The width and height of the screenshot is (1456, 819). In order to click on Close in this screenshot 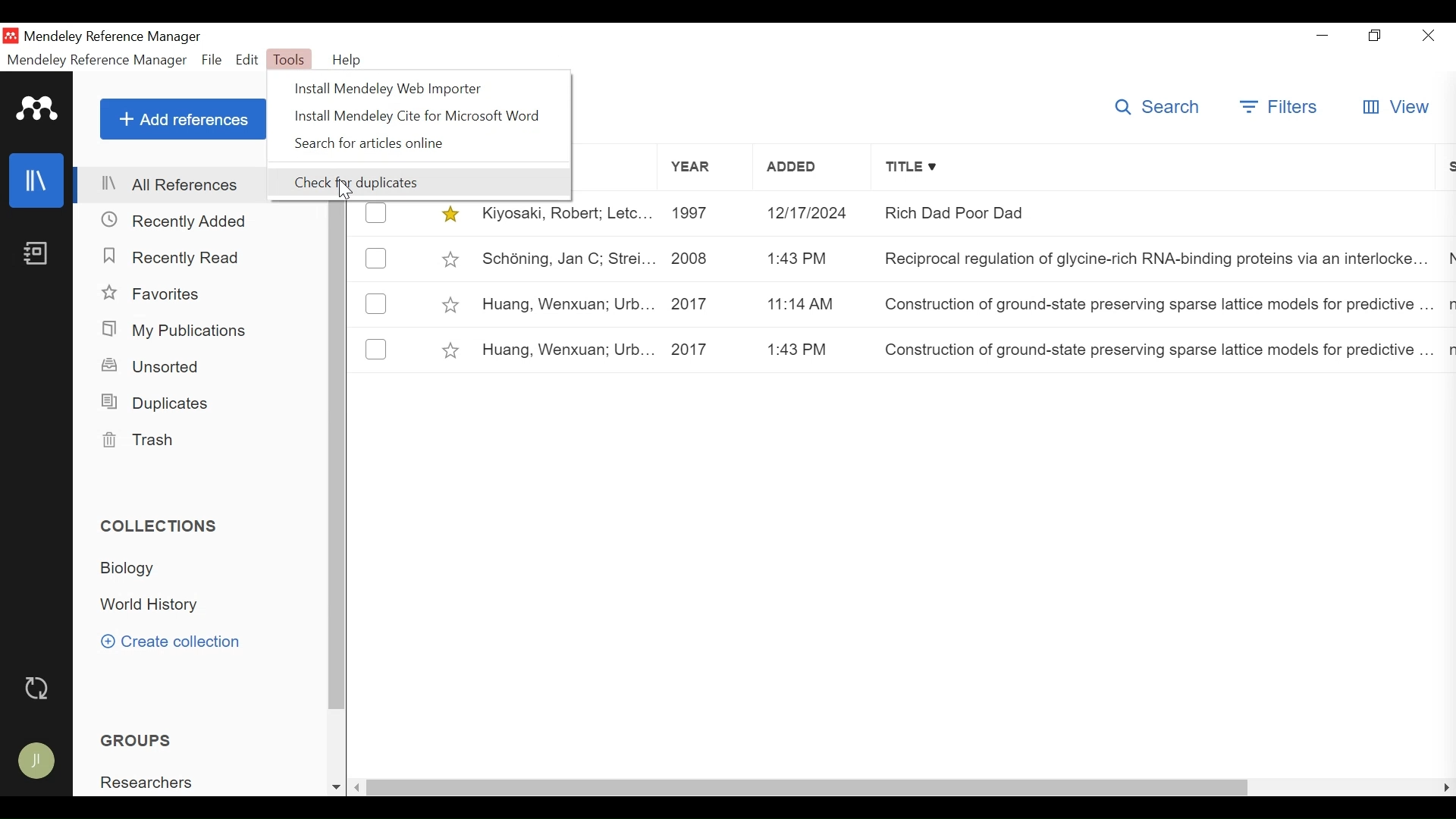, I will do `click(1429, 36)`.